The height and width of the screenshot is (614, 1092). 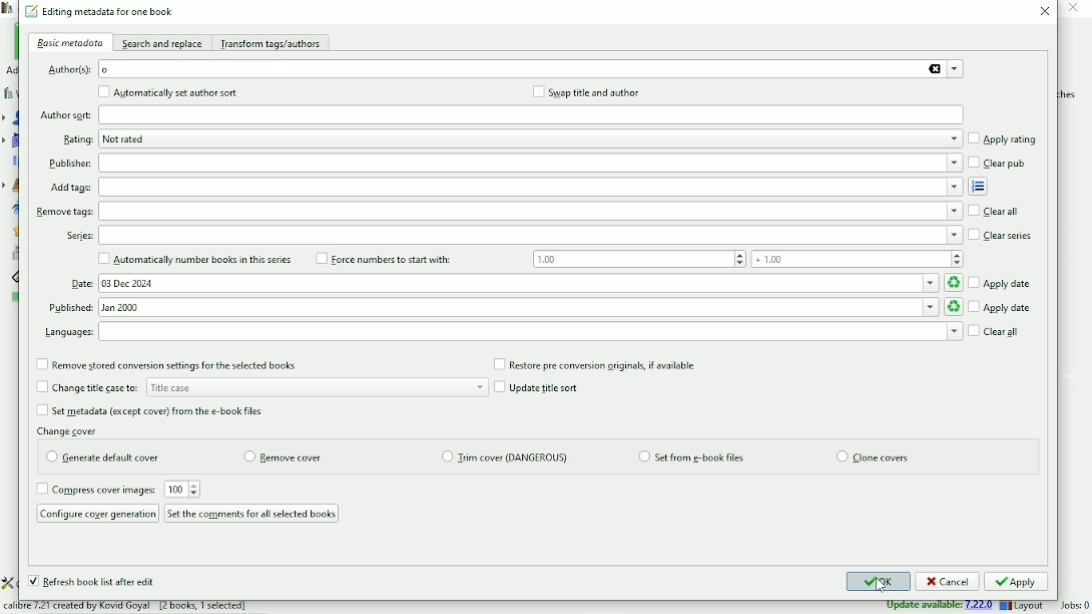 I want to click on remove tags, so click(x=65, y=212).